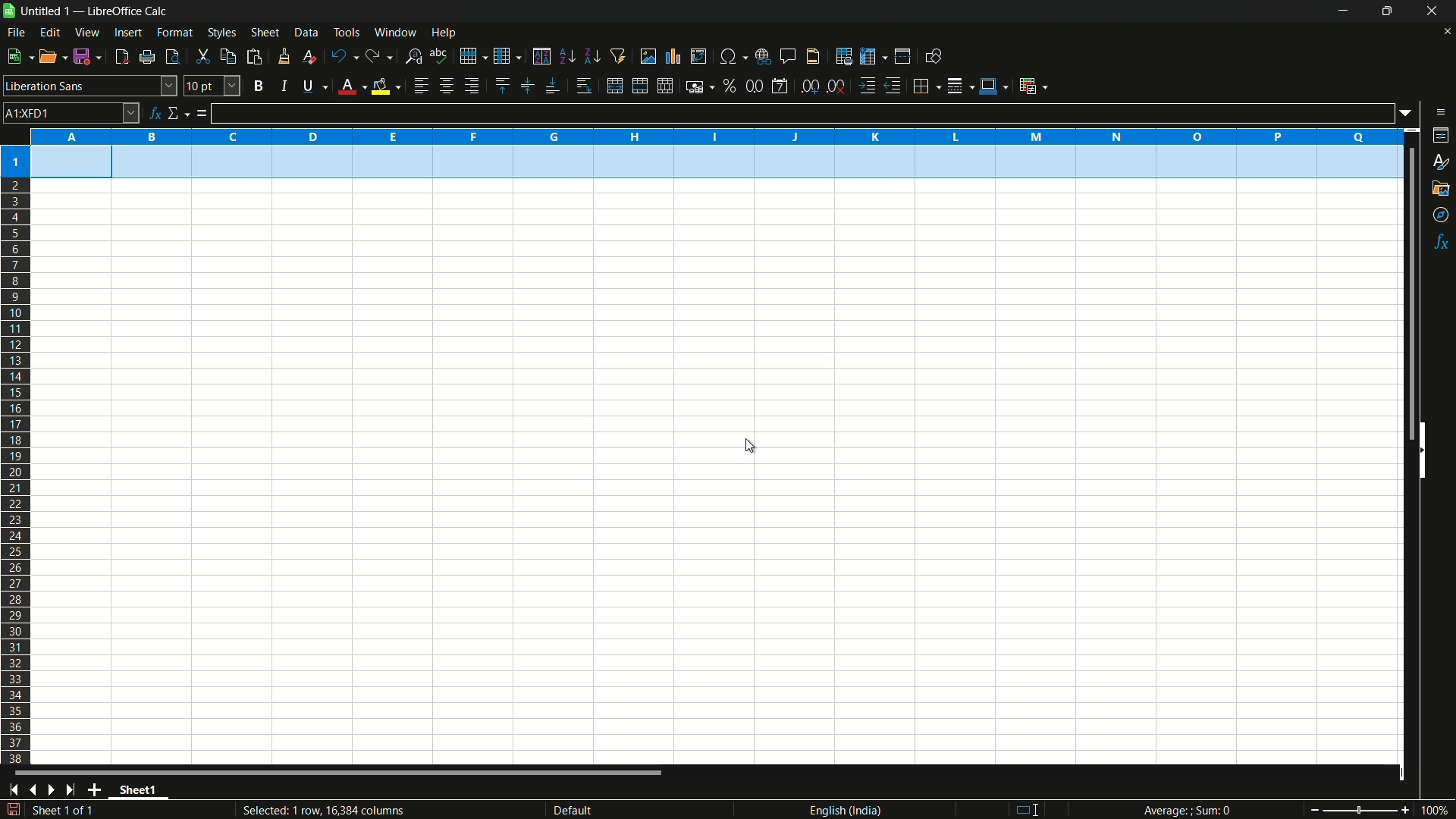  I want to click on print, so click(147, 58).